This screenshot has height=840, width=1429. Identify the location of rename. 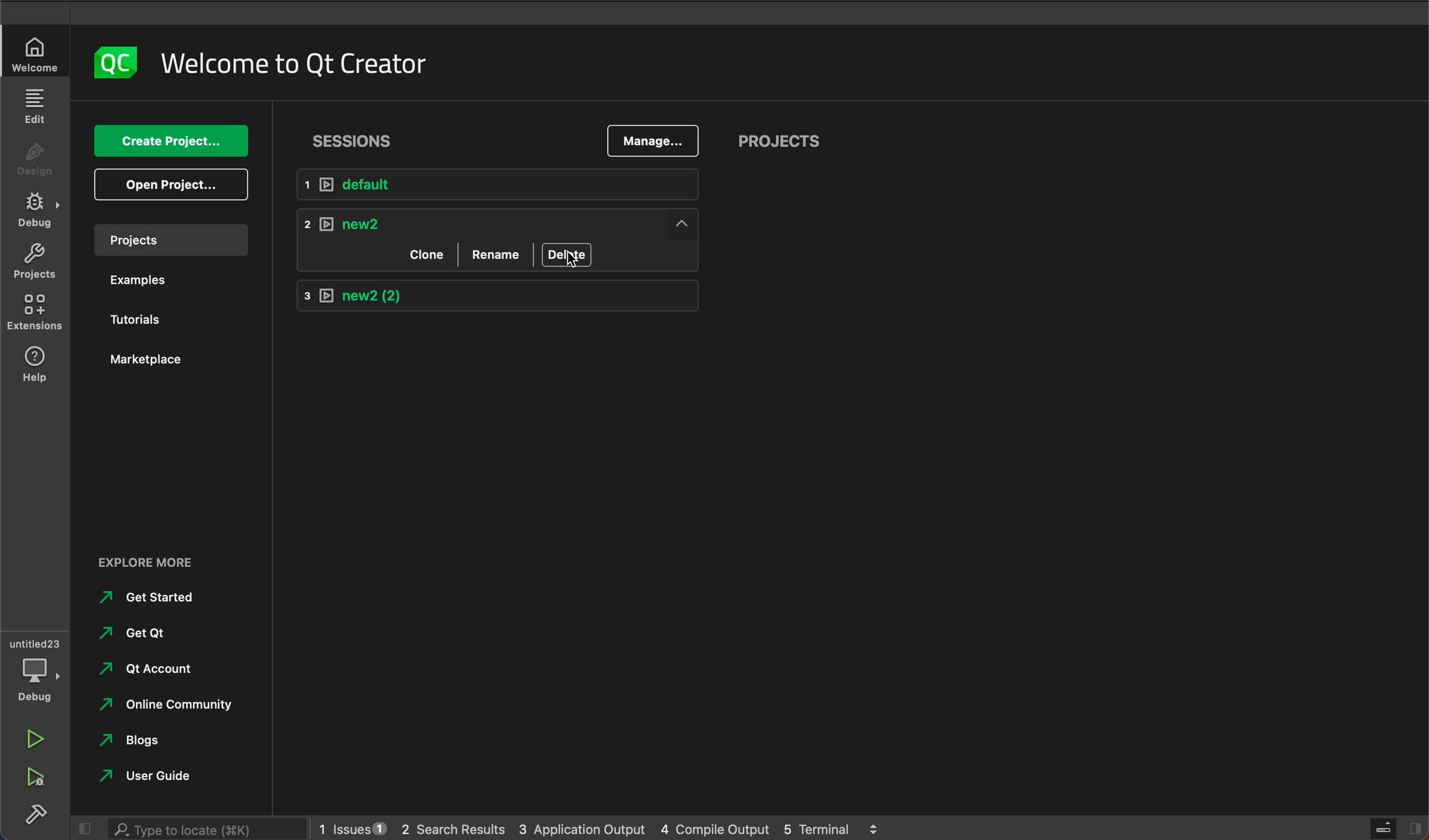
(496, 252).